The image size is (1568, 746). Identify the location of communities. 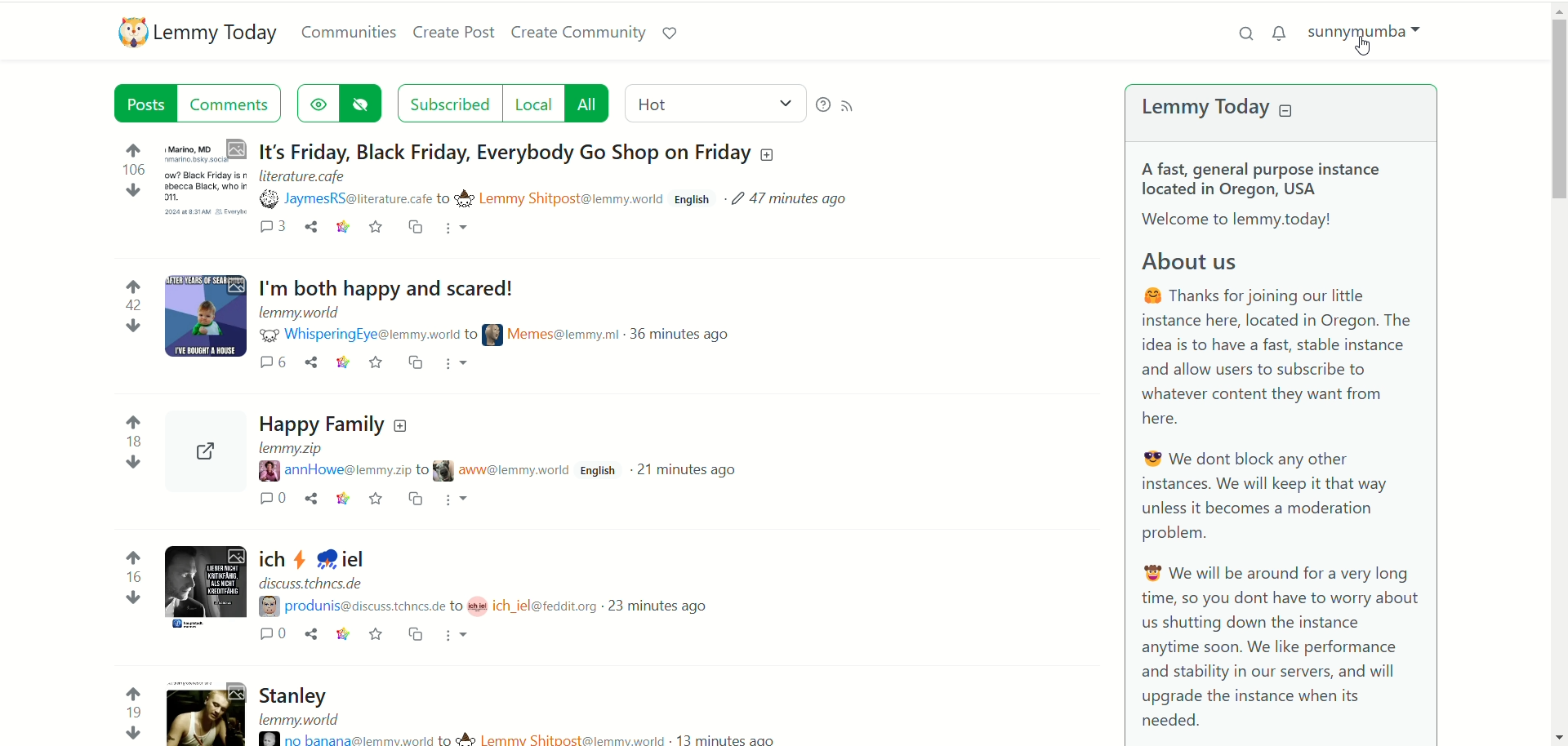
(349, 33).